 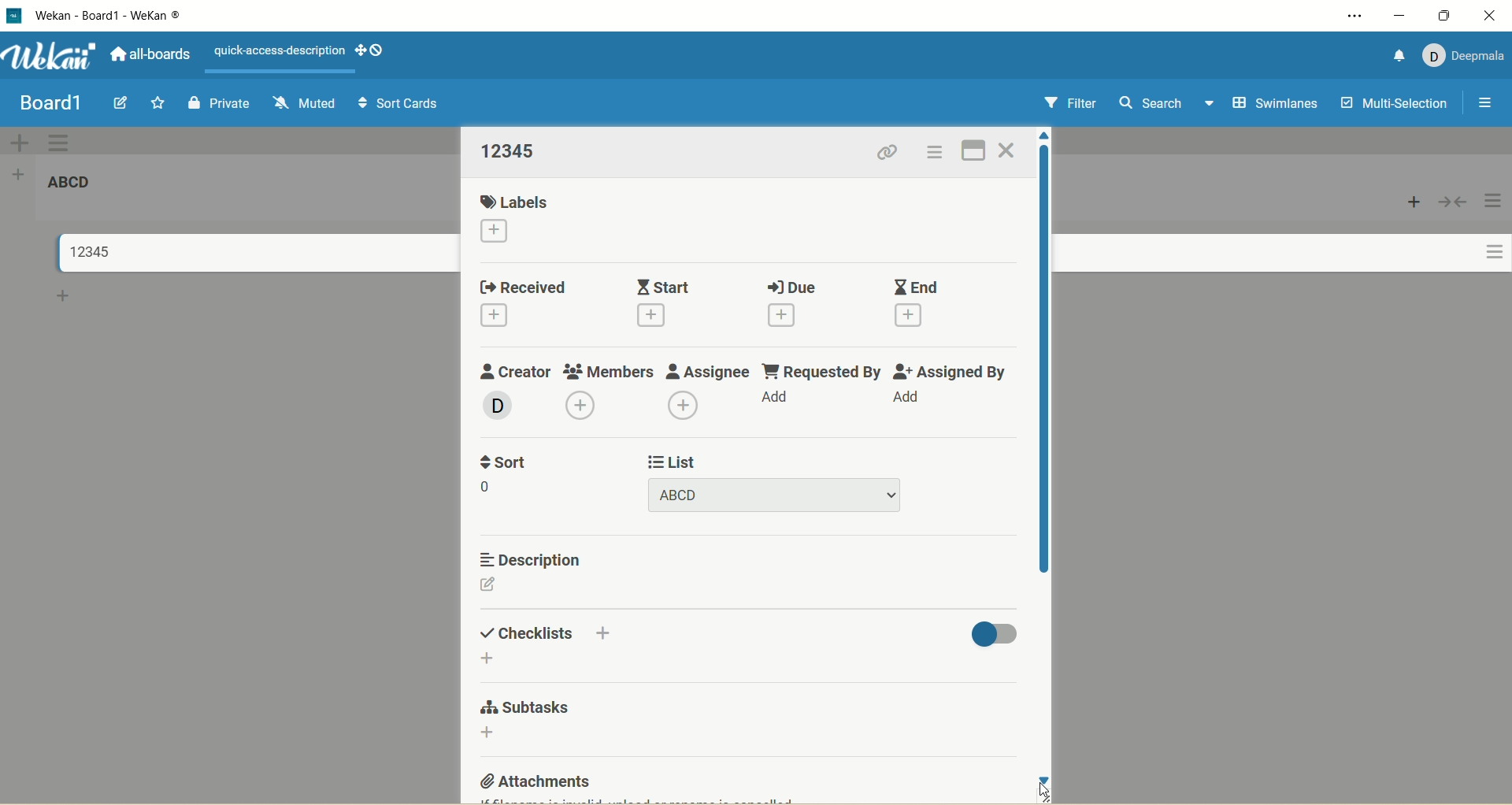 What do you see at coordinates (913, 287) in the screenshot?
I see `end` at bounding box center [913, 287].